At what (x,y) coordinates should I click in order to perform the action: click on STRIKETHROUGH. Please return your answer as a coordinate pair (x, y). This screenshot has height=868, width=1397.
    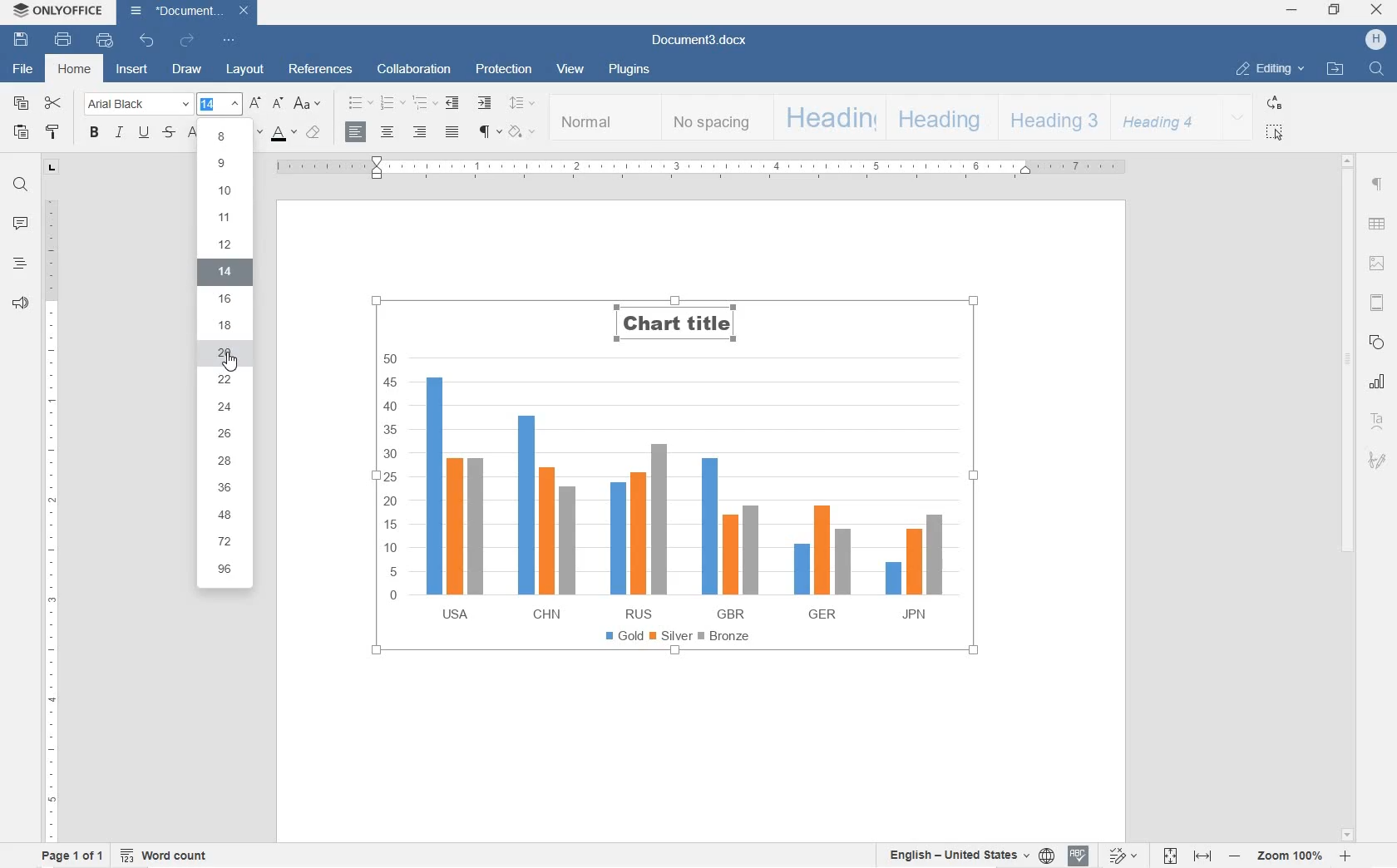
    Looking at the image, I should click on (170, 134).